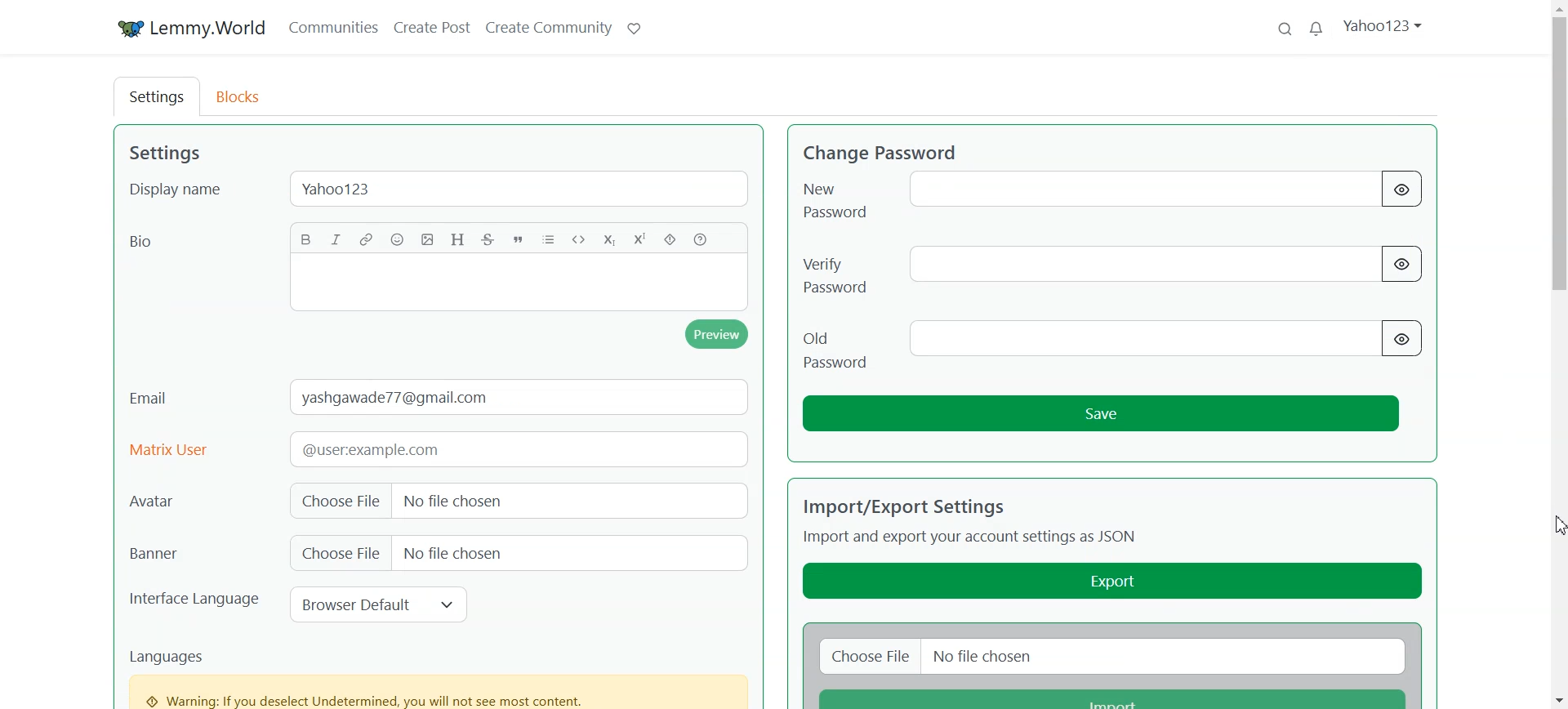 This screenshot has width=1568, height=709. Describe the element at coordinates (336, 501) in the screenshot. I see `Choose File` at that location.